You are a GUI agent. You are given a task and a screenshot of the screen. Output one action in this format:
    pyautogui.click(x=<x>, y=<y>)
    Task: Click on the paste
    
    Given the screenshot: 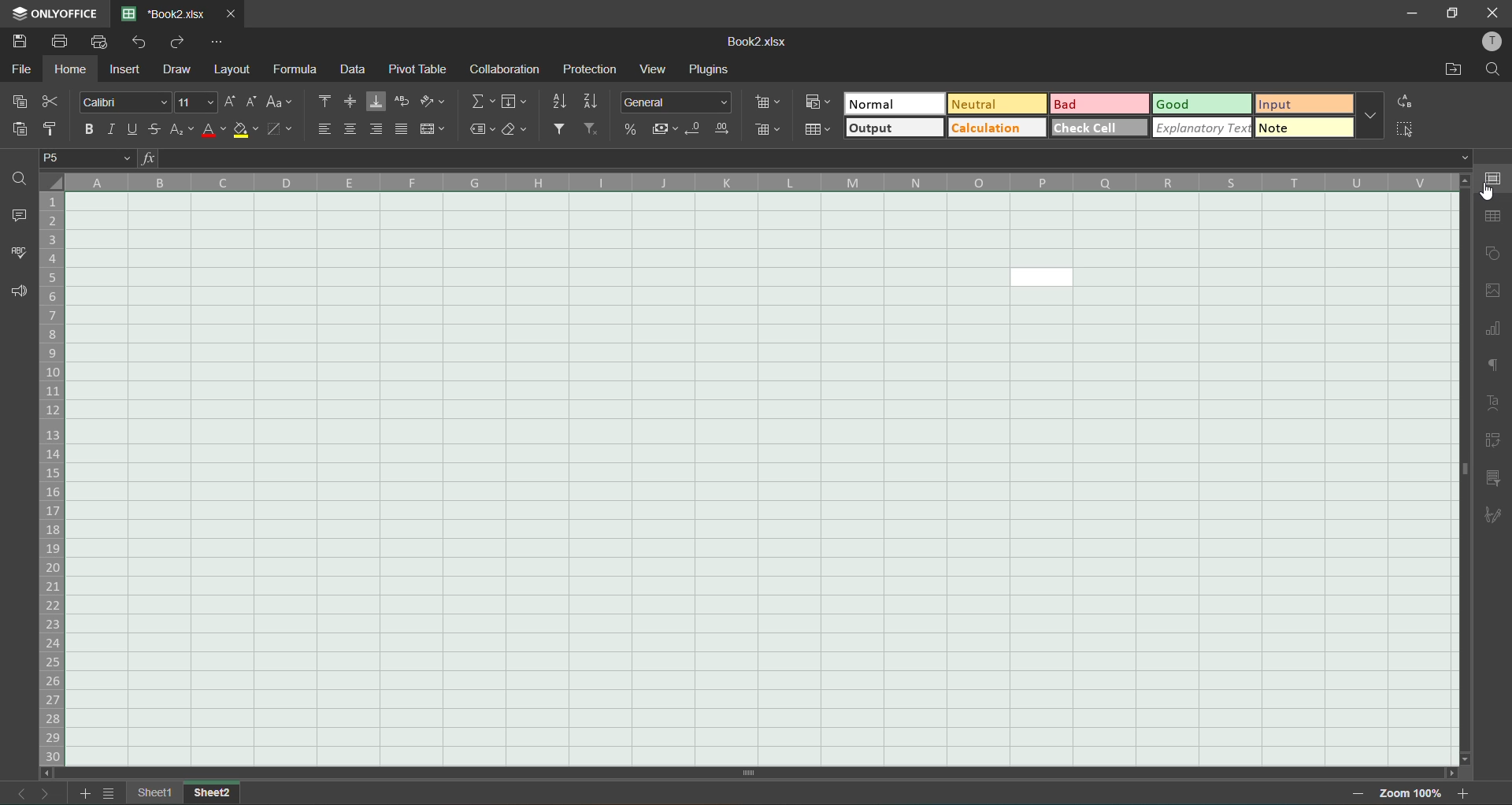 What is the action you would take?
    pyautogui.click(x=17, y=131)
    